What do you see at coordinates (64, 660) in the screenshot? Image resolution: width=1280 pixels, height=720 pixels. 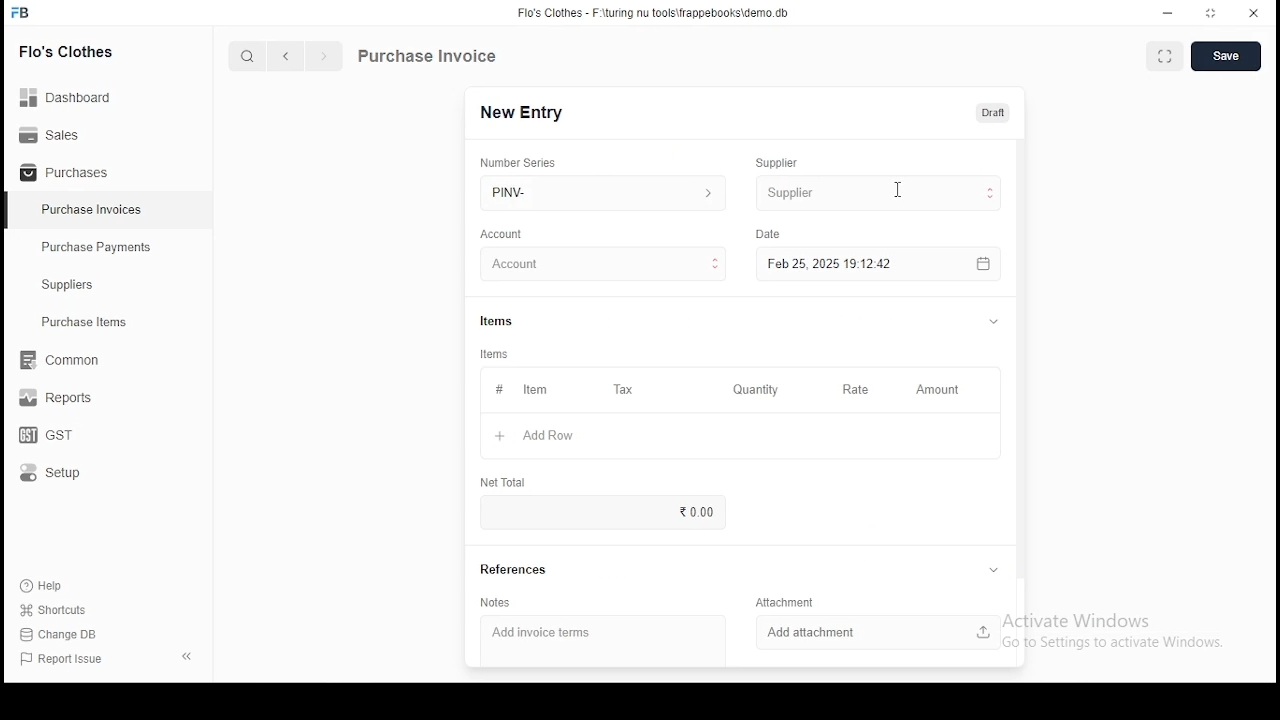 I see `report issue` at bounding box center [64, 660].